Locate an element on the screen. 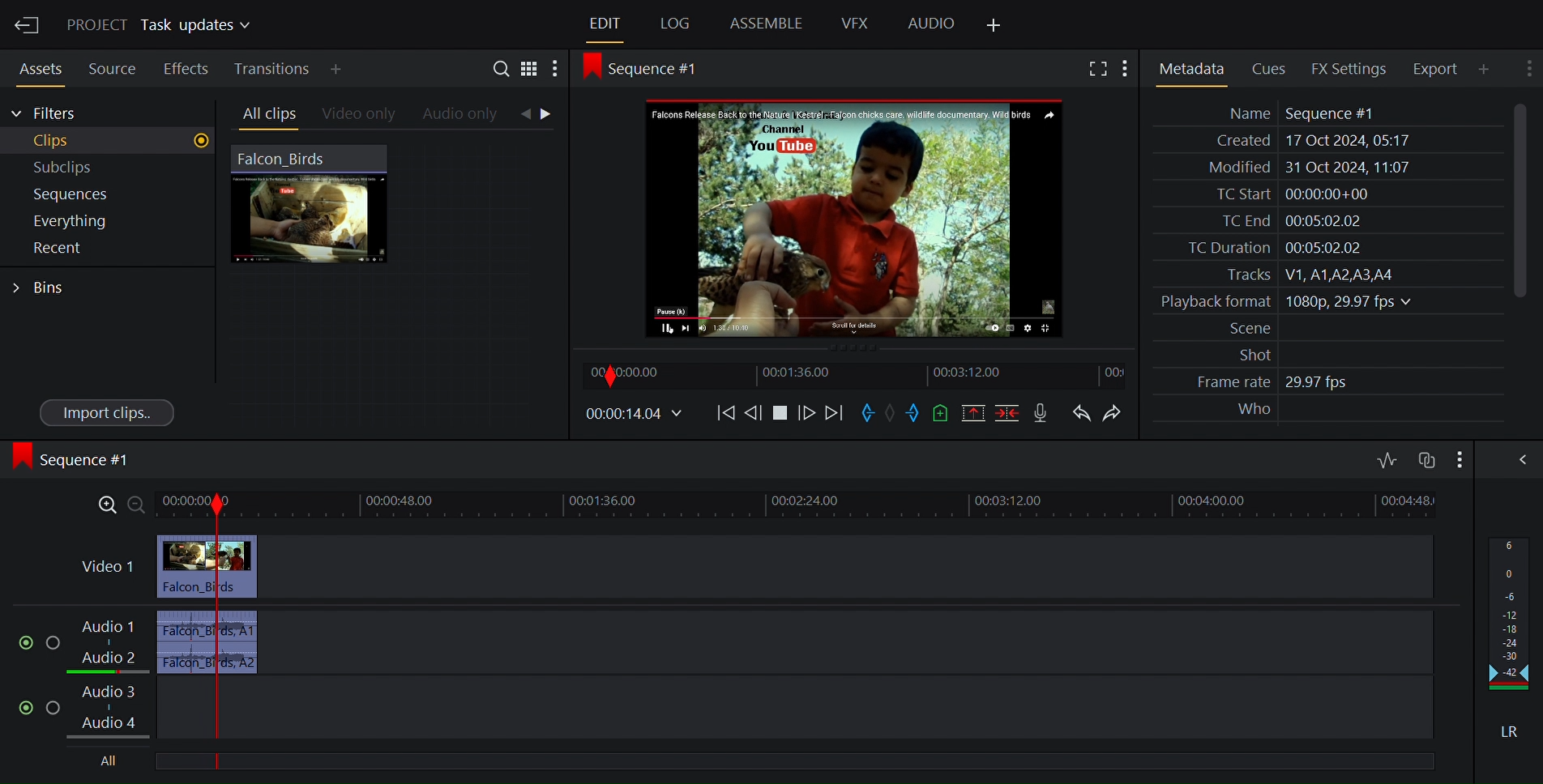 The width and height of the screenshot is (1543, 784). TC End  00:05:02.02 is located at coordinates (1283, 221).